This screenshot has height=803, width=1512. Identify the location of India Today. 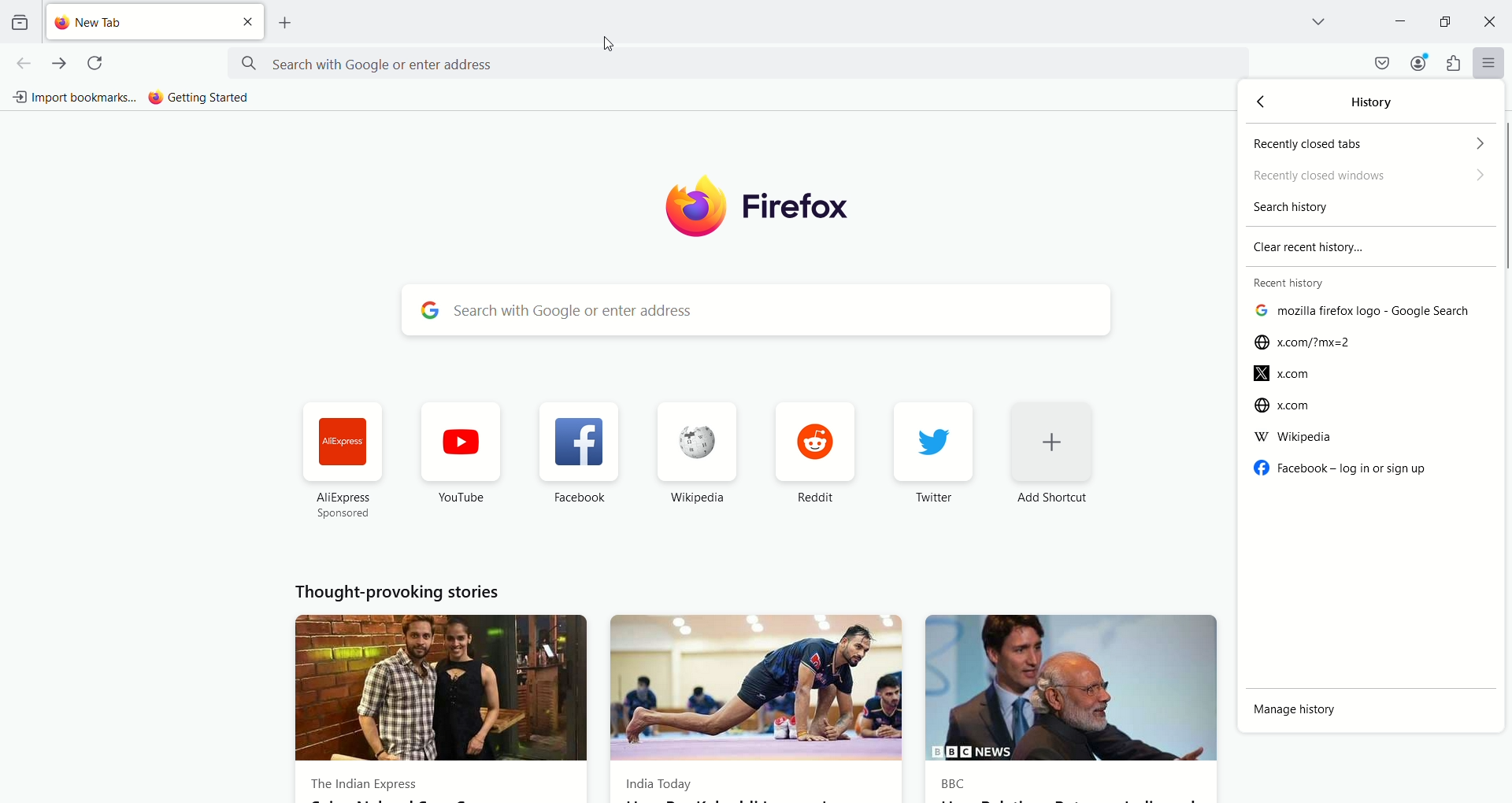
(754, 707).